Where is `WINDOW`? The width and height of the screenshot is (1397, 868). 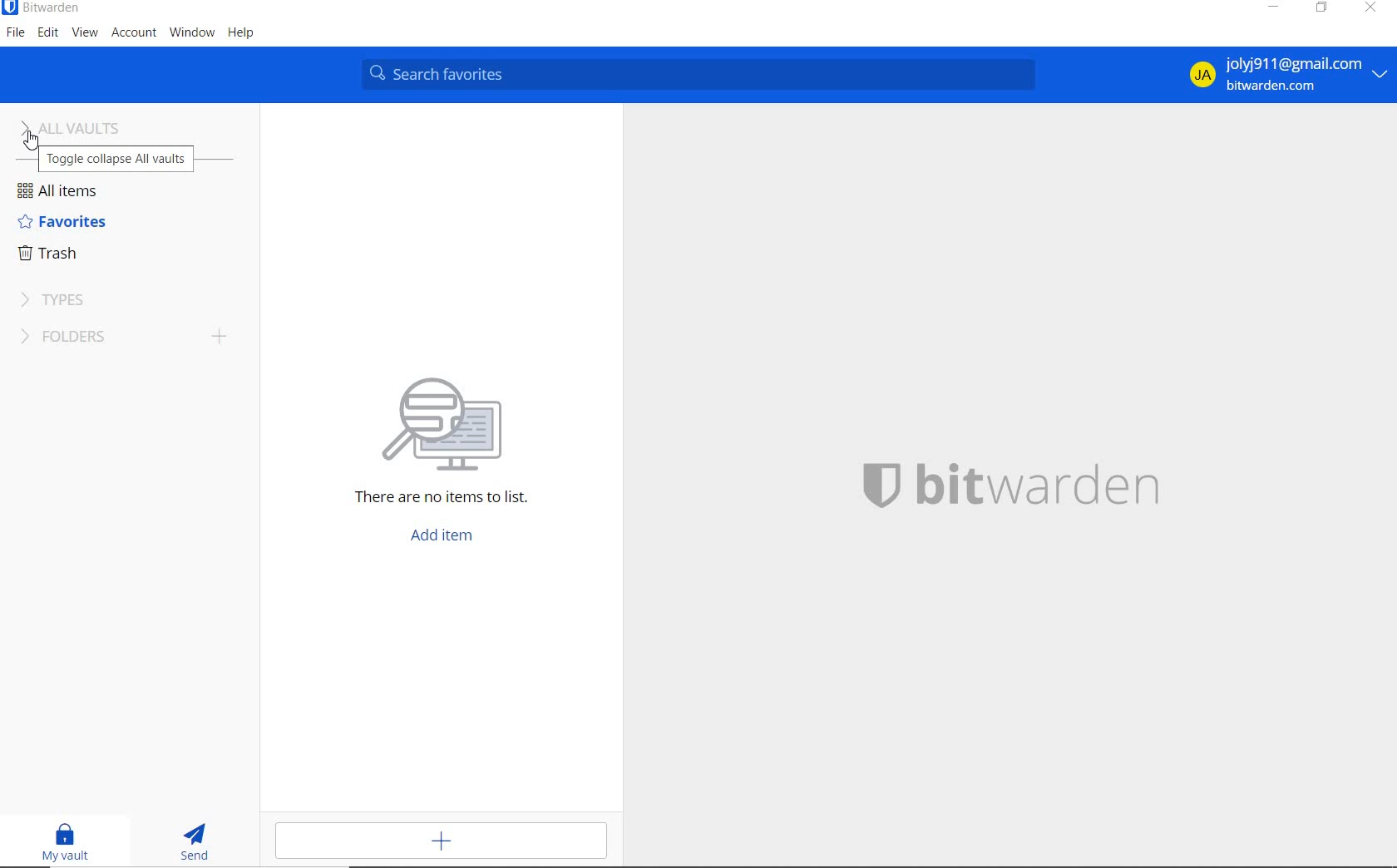
WINDOW is located at coordinates (191, 33).